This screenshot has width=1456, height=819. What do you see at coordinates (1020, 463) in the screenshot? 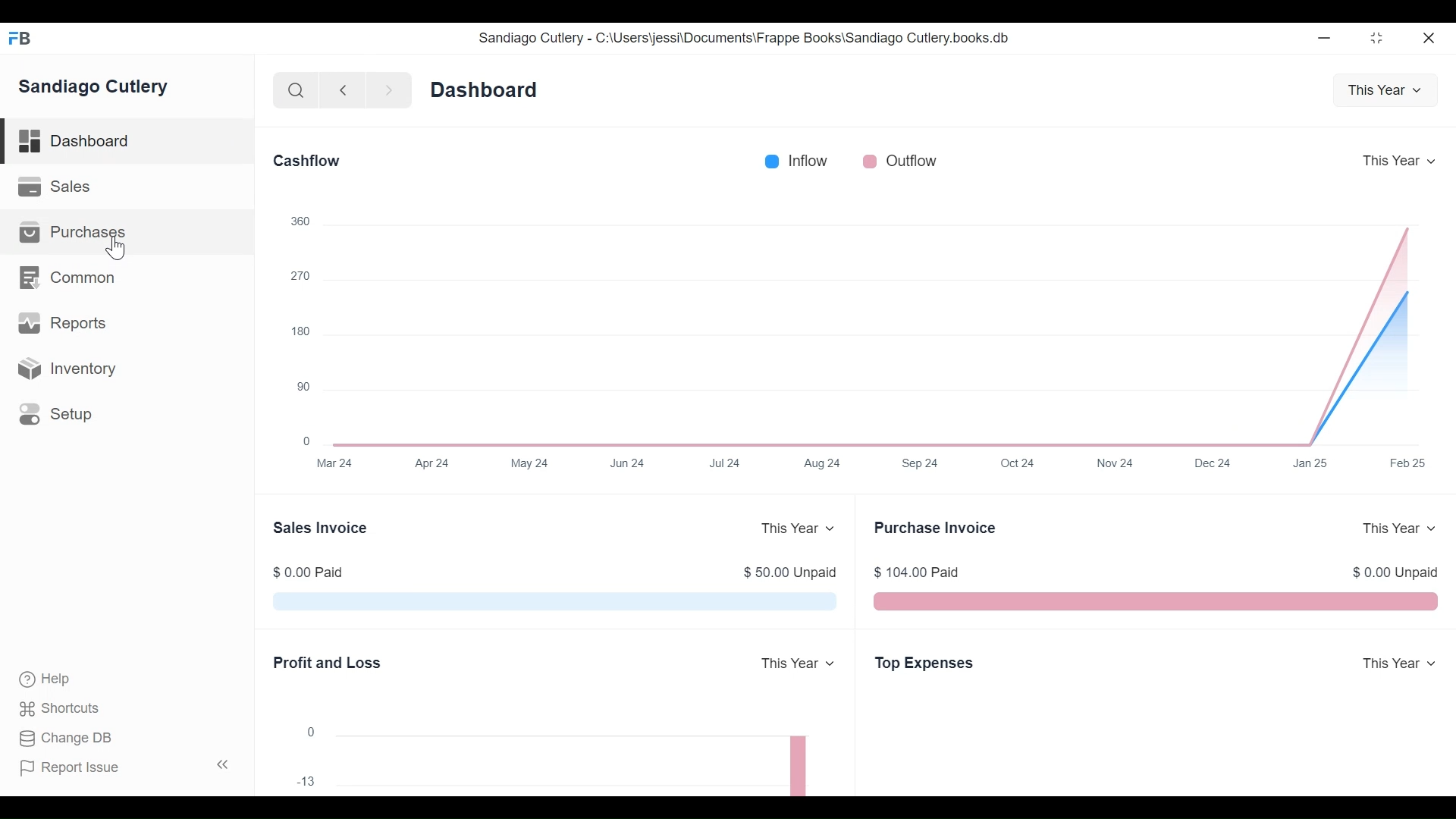
I see `Oct 24` at bounding box center [1020, 463].